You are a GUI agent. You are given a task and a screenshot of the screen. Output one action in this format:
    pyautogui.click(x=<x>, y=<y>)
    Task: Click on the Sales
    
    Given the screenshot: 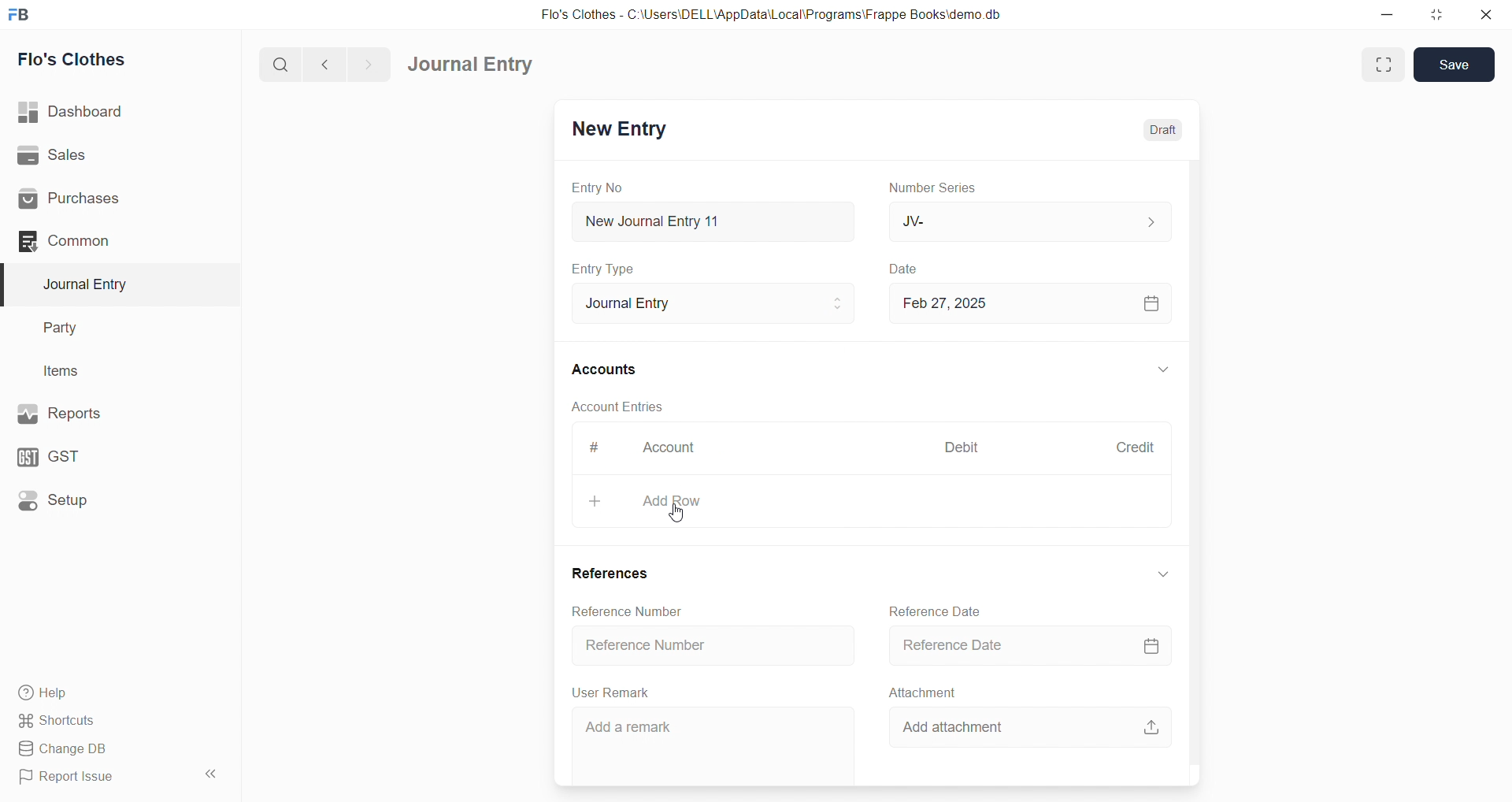 What is the action you would take?
    pyautogui.click(x=94, y=154)
    